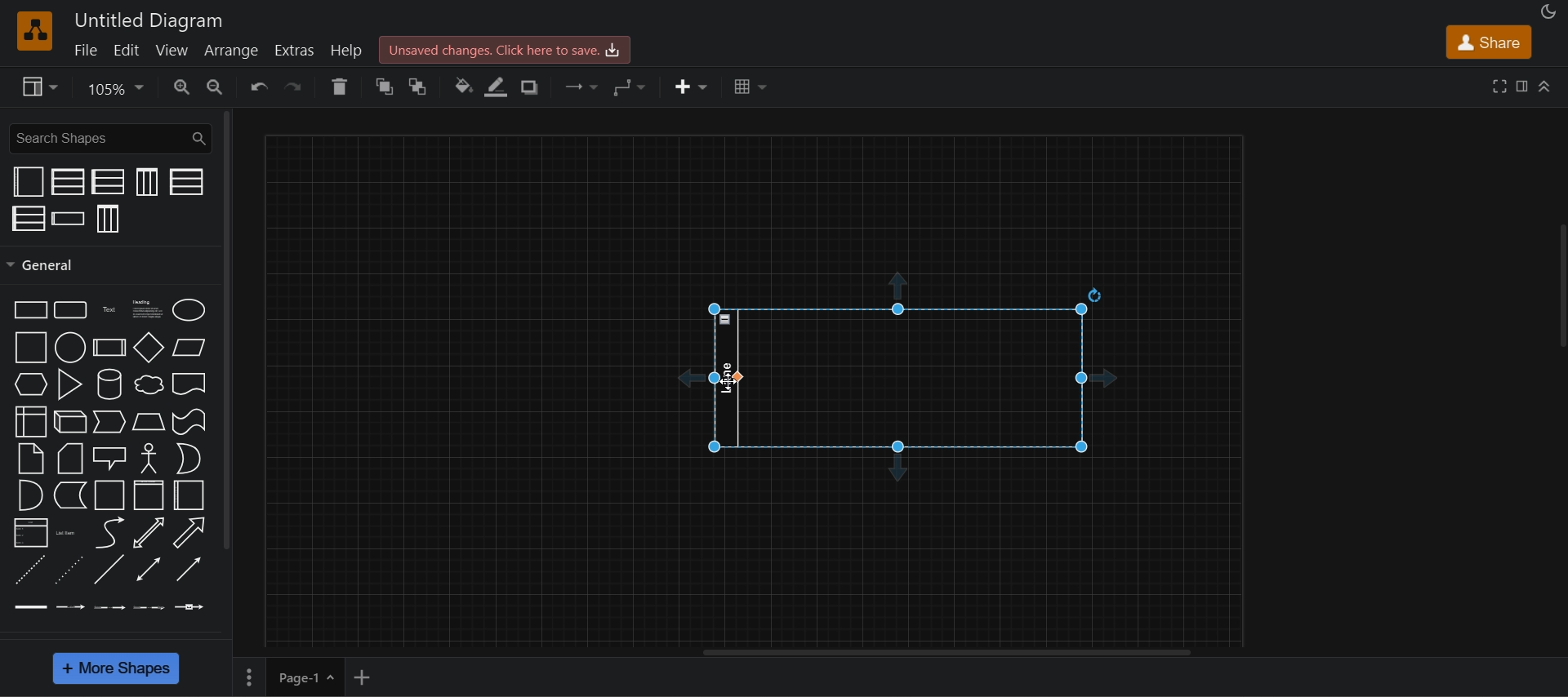 This screenshot has height=697, width=1568. What do you see at coordinates (149, 608) in the screenshot?
I see `connector with 3 labels` at bounding box center [149, 608].